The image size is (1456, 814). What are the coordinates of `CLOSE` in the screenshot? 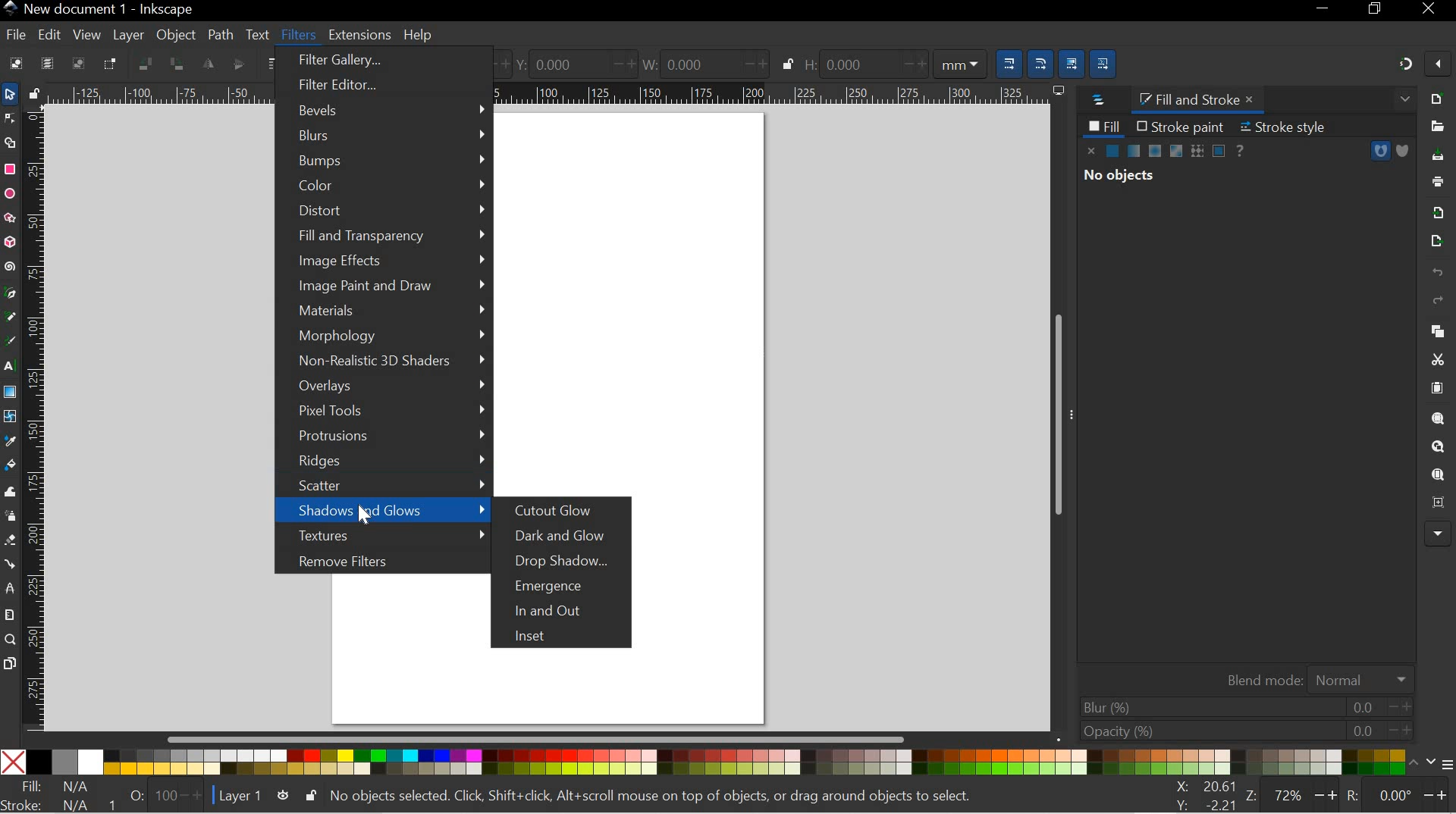 It's located at (1432, 9).